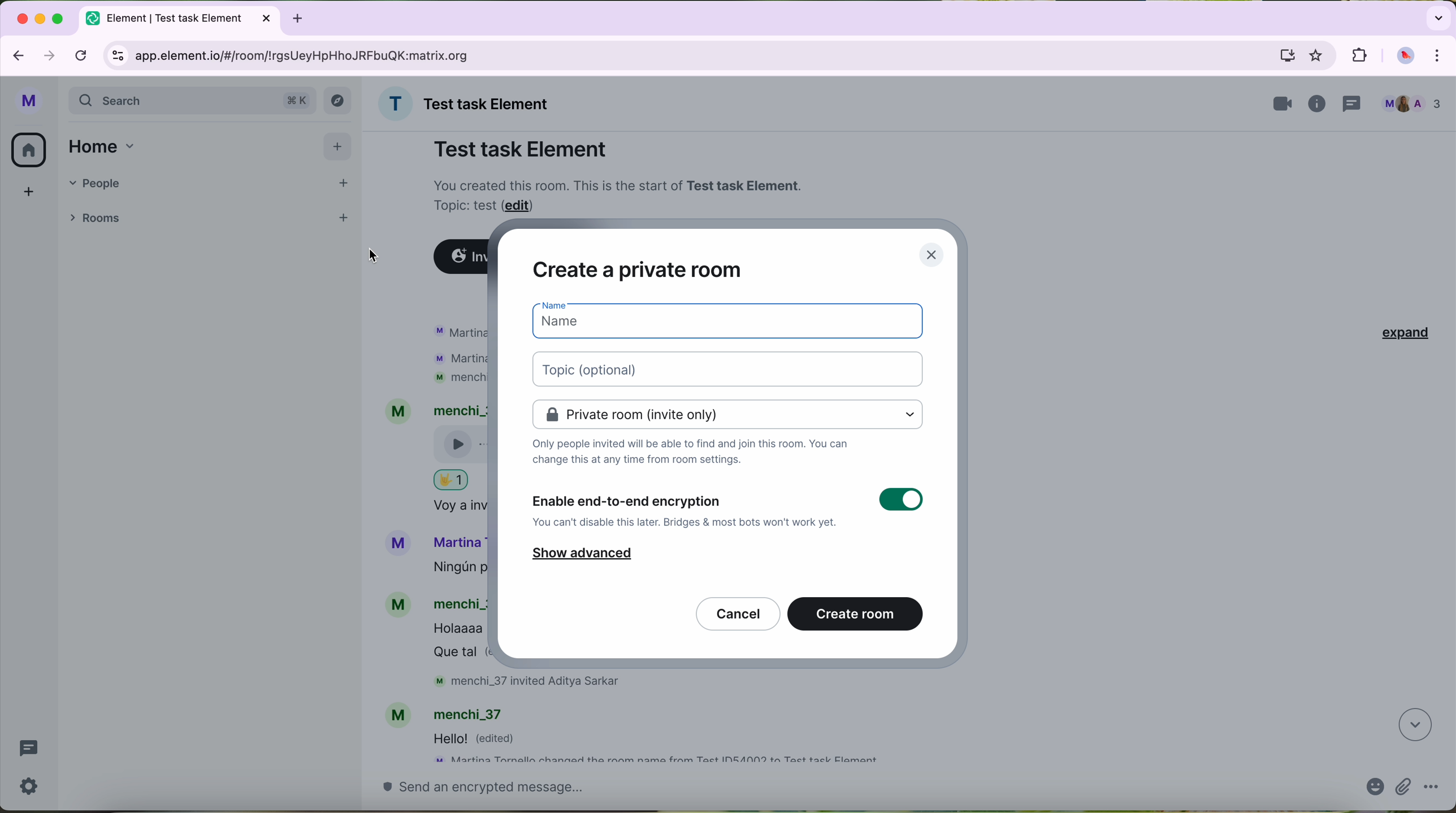 The image size is (1456, 813). What do you see at coordinates (1443, 56) in the screenshot?
I see `control and customize Google Chrome` at bounding box center [1443, 56].